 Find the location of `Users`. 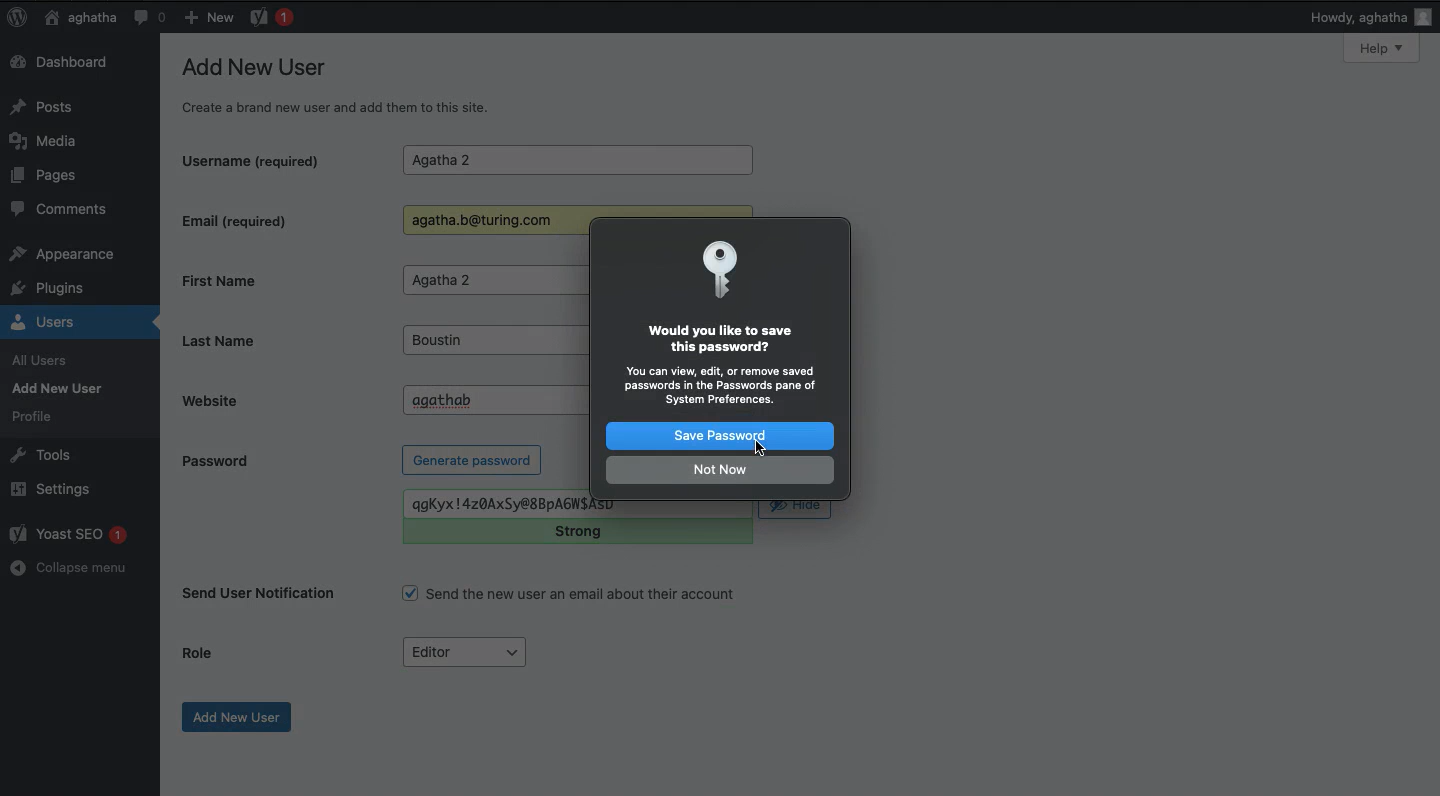

Users is located at coordinates (64, 322).